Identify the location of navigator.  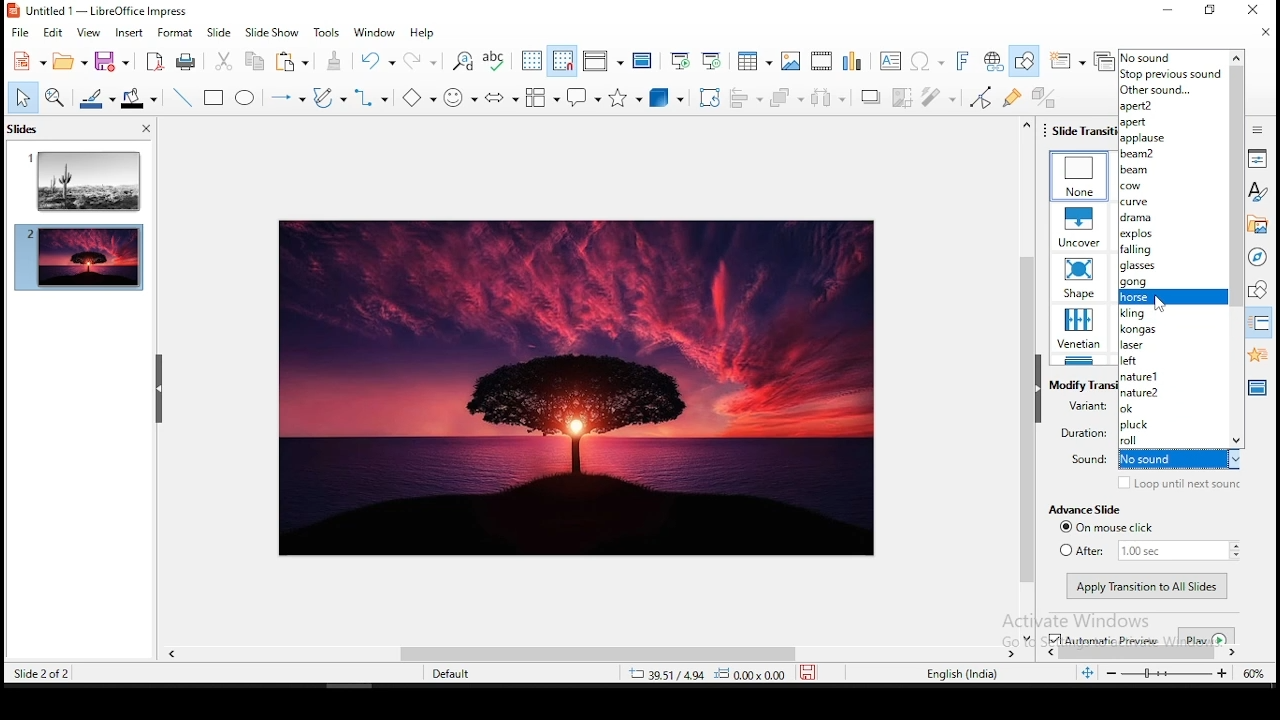
(1259, 256).